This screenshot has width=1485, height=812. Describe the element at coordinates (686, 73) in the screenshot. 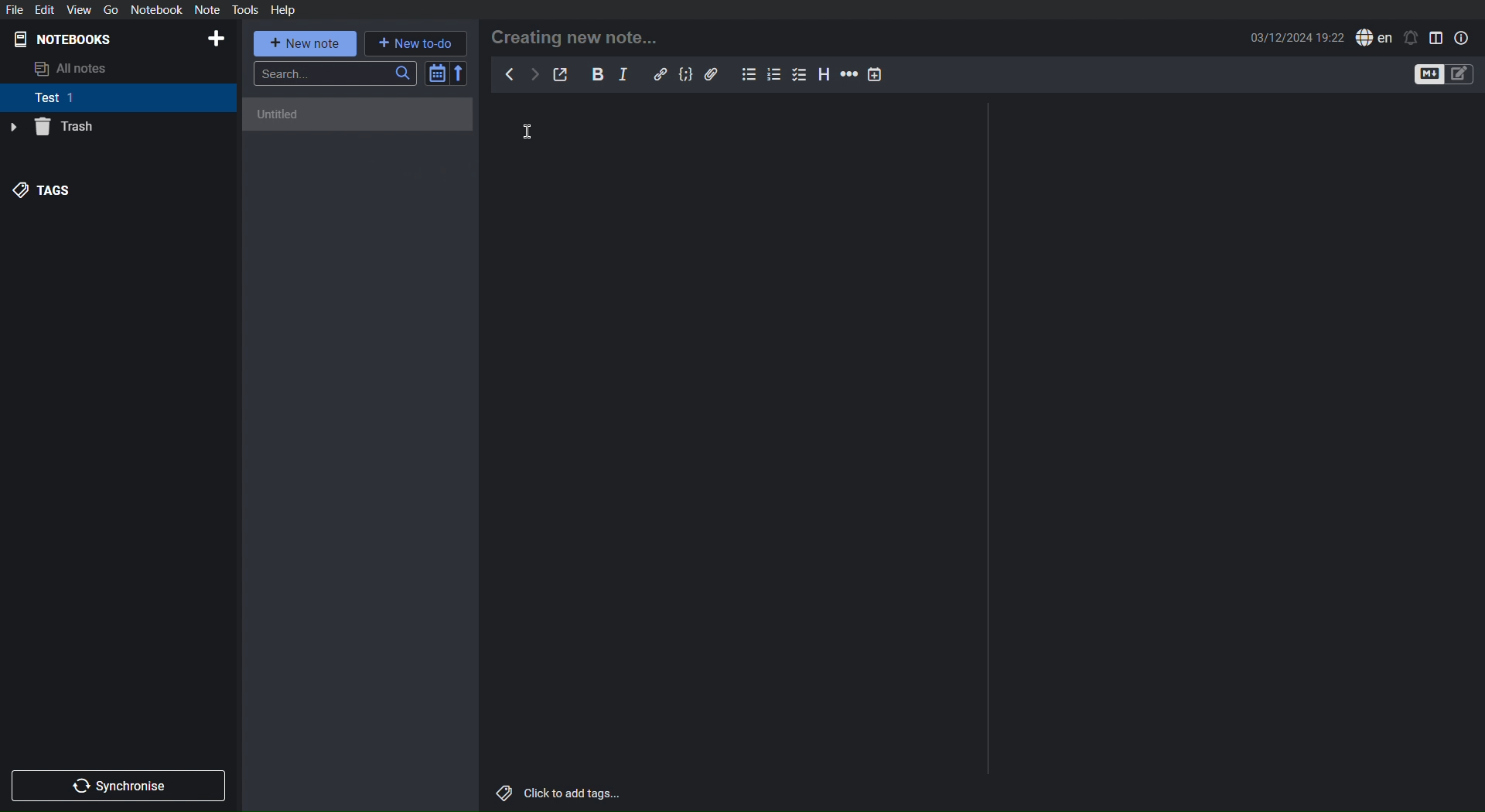

I see `Code` at that location.